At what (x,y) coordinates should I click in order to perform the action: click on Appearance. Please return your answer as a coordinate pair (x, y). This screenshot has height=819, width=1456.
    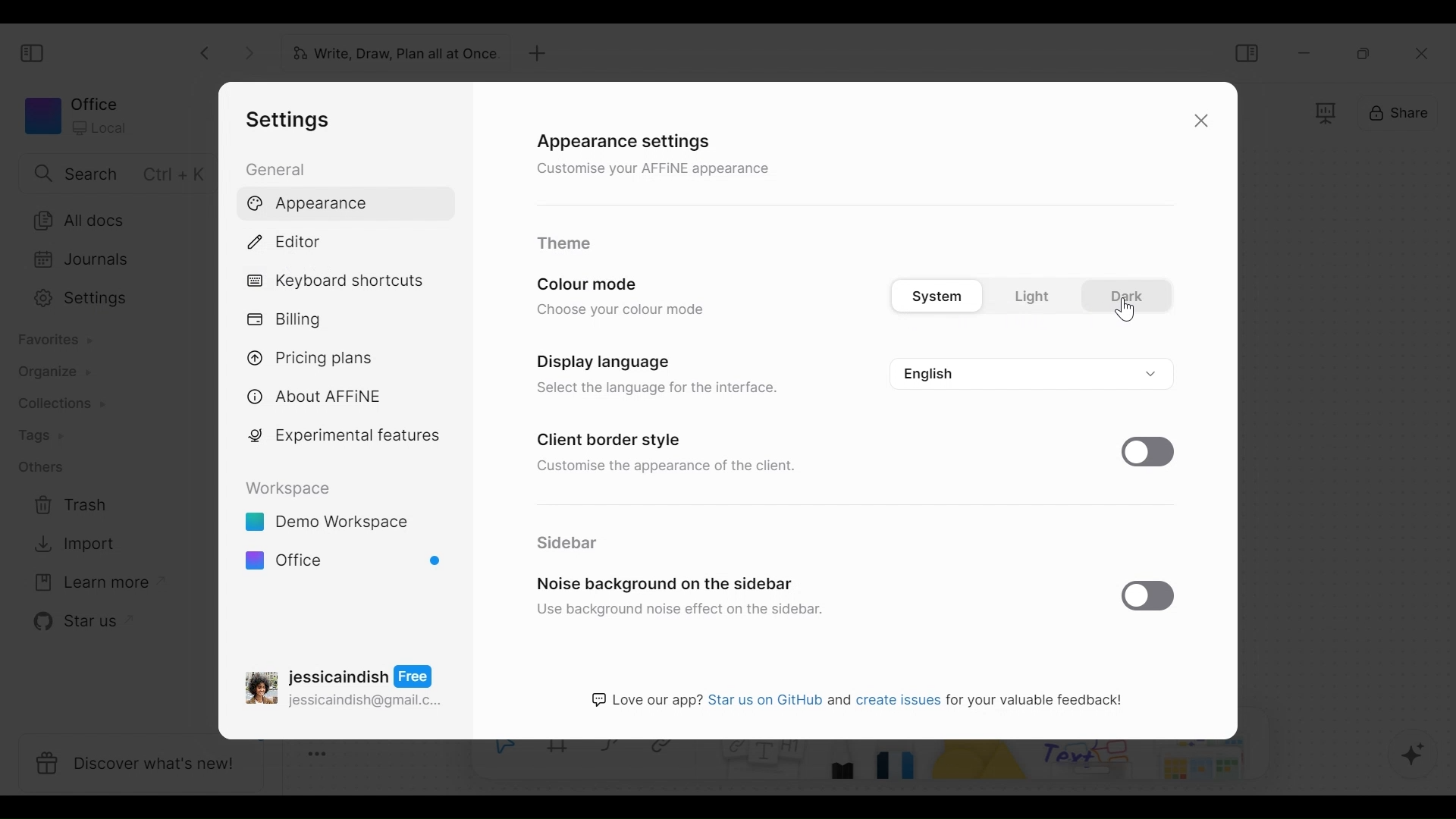
    Looking at the image, I should click on (340, 202).